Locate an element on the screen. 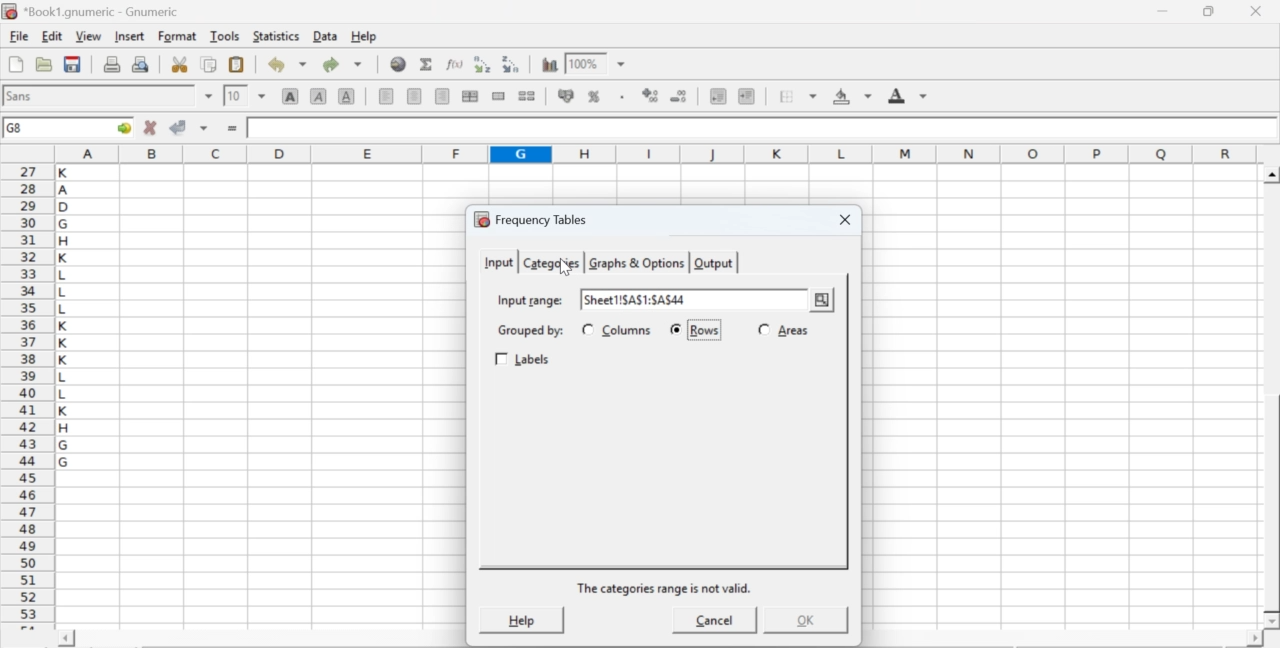  accept changes across selection is located at coordinates (203, 127).